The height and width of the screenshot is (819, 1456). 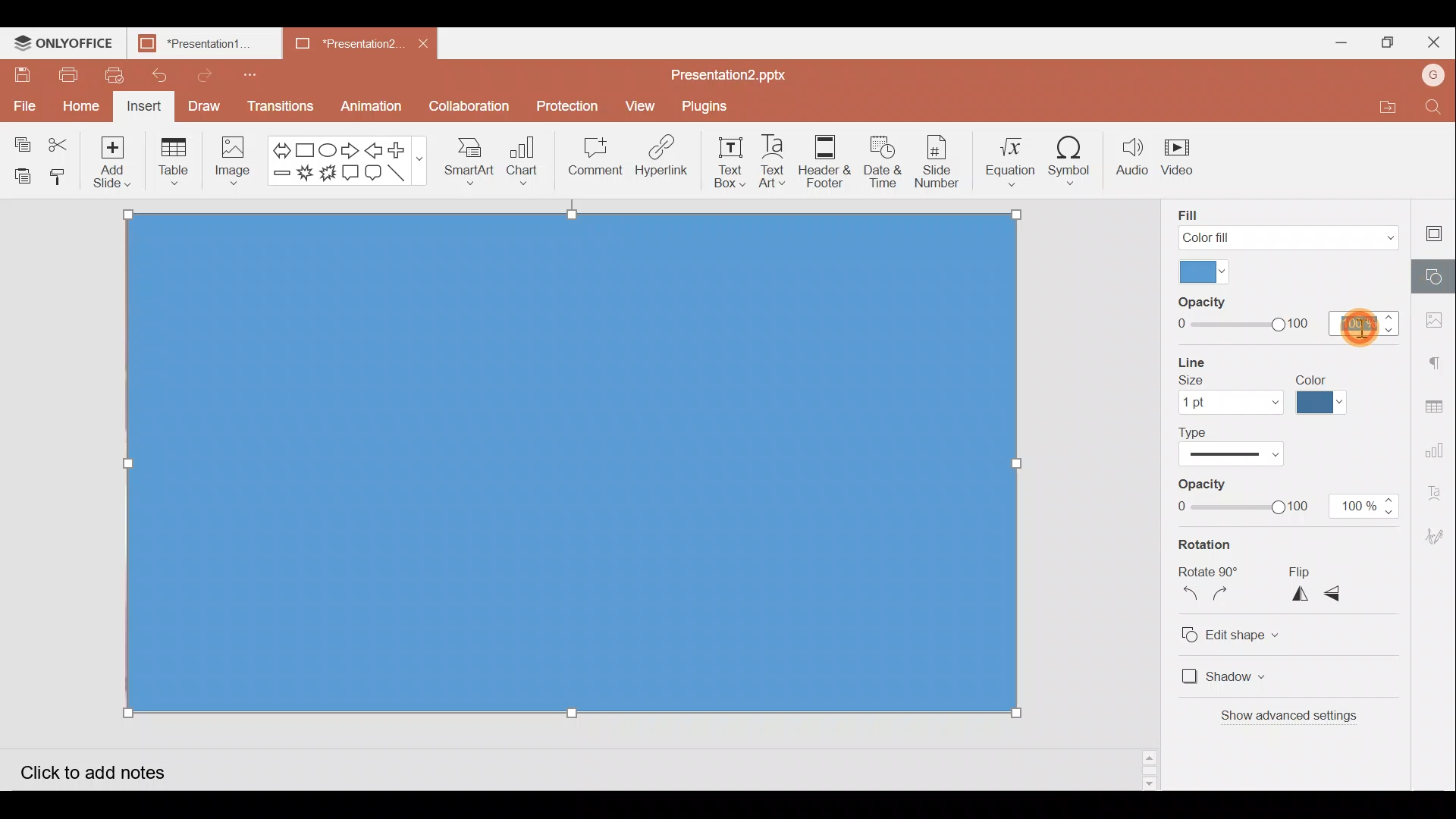 I want to click on SmartArt, so click(x=468, y=164).